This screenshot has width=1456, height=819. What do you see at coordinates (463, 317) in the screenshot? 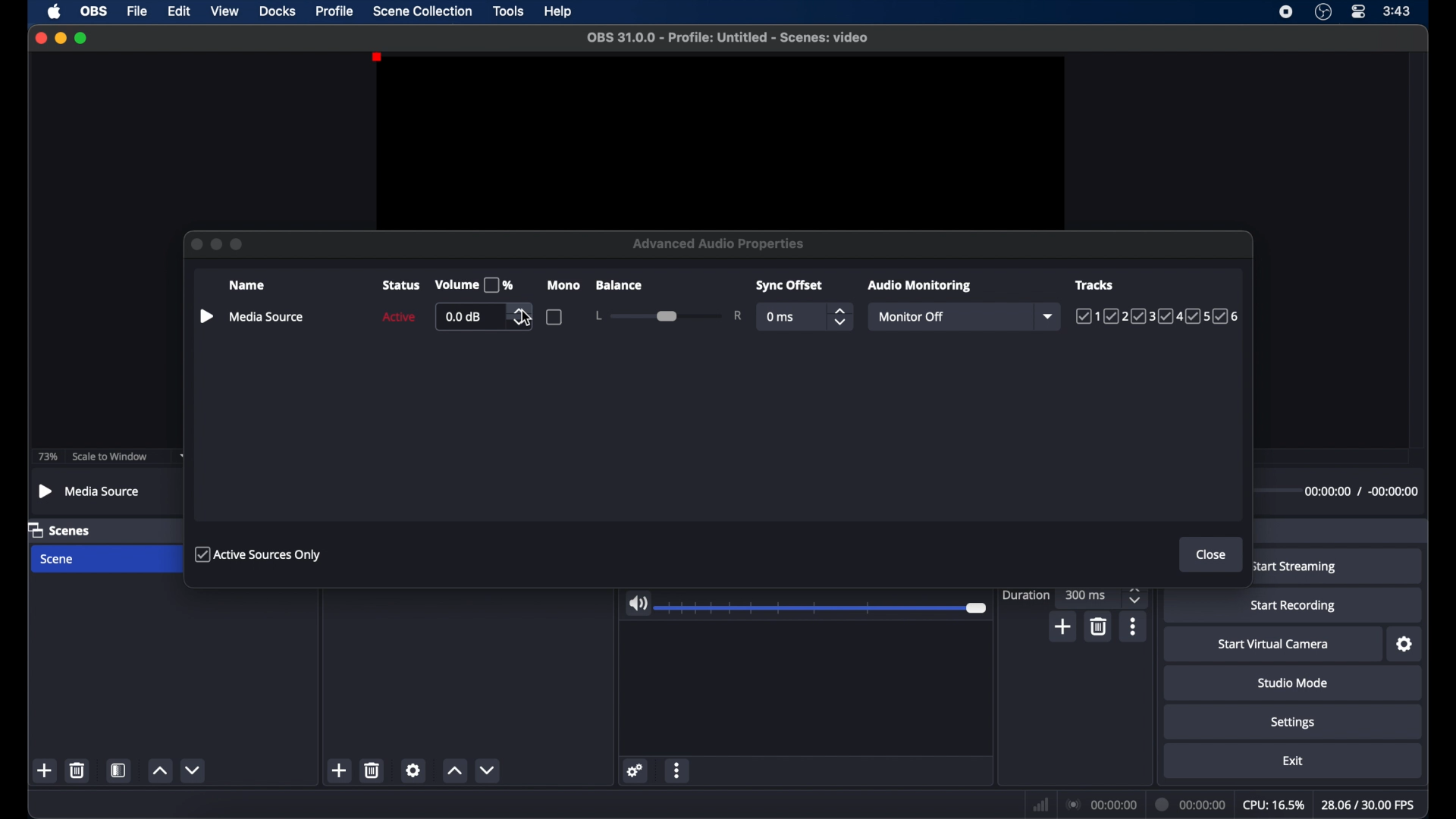
I see `0.0 db` at bounding box center [463, 317].